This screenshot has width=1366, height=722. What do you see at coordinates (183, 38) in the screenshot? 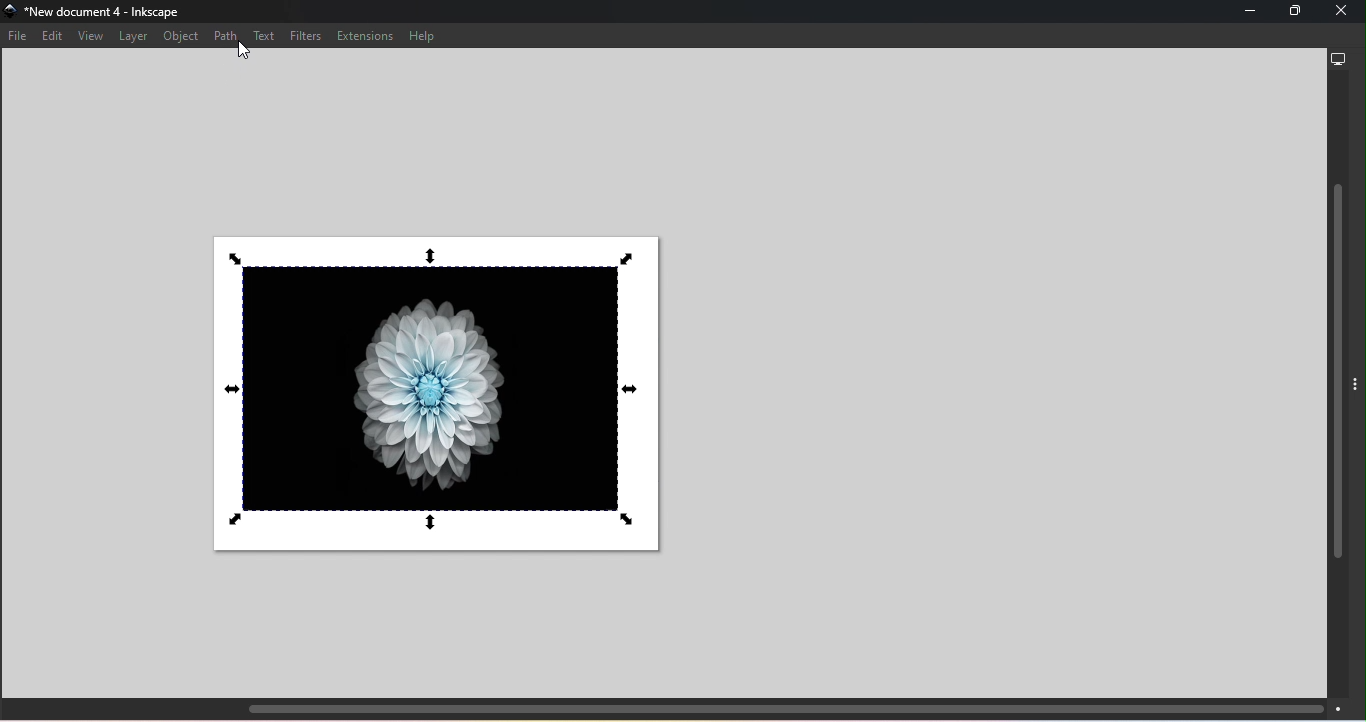
I see `Object` at bounding box center [183, 38].